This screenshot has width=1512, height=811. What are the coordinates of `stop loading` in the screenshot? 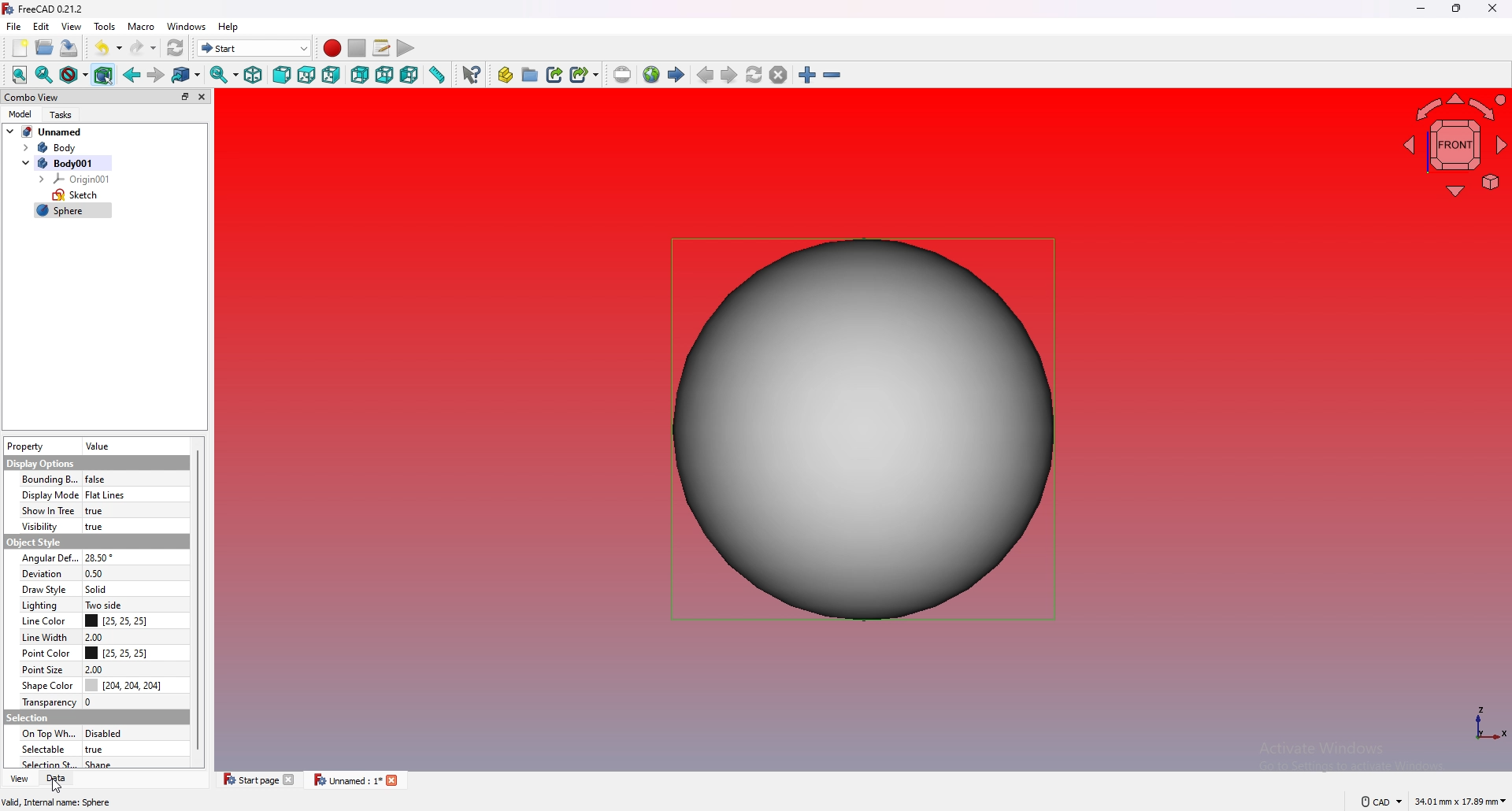 It's located at (778, 74).